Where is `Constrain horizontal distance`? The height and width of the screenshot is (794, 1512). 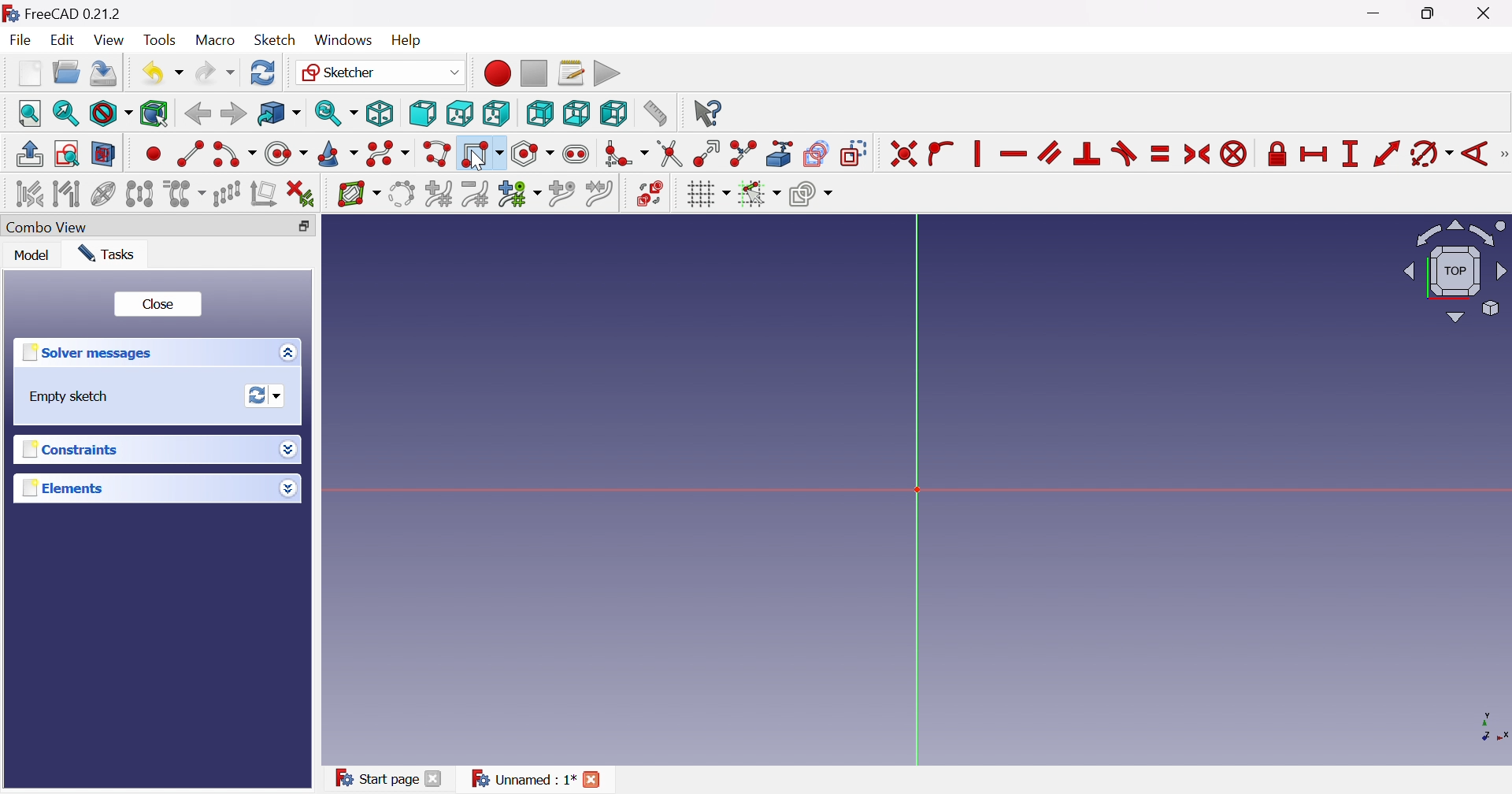
Constrain horizontal distance is located at coordinates (1313, 156).